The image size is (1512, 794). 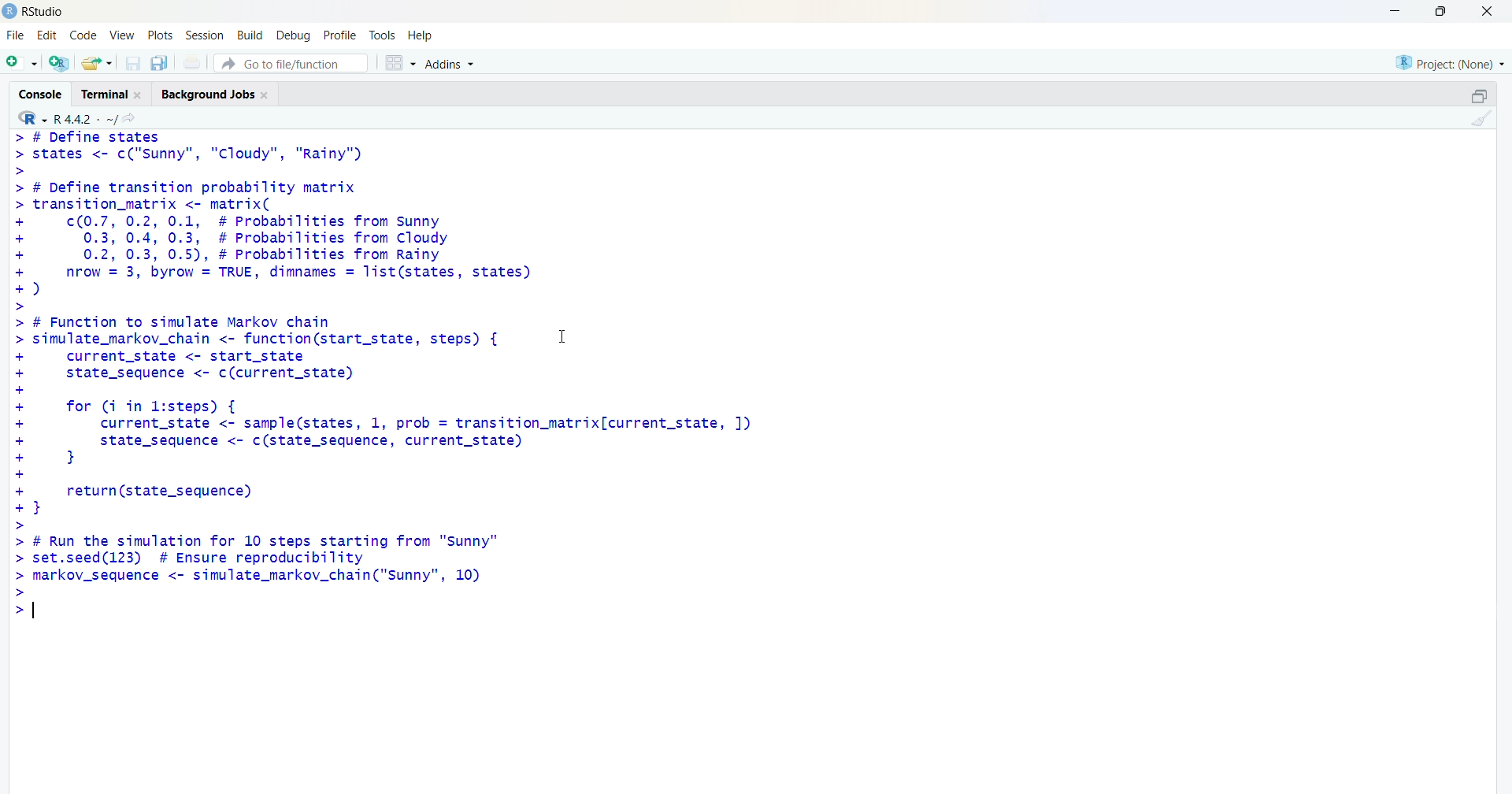 What do you see at coordinates (13, 35) in the screenshot?
I see `file` at bounding box center [13, 35].